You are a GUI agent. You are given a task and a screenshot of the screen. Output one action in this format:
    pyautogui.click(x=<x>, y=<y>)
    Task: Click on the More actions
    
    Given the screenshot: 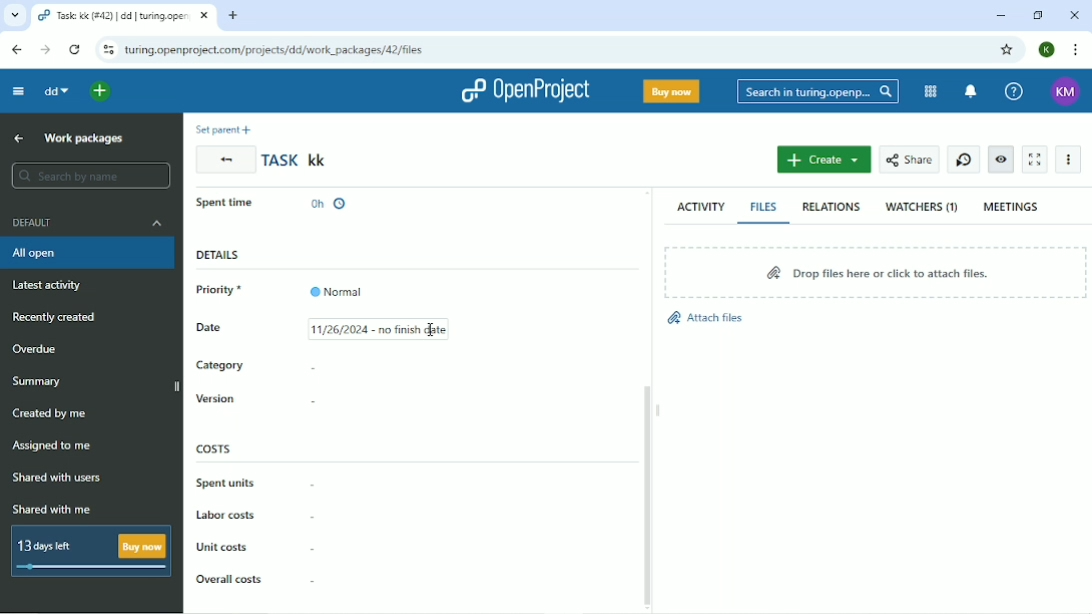 What is the action you would take?
    pyautogui.click(x=1067, y=159)
    